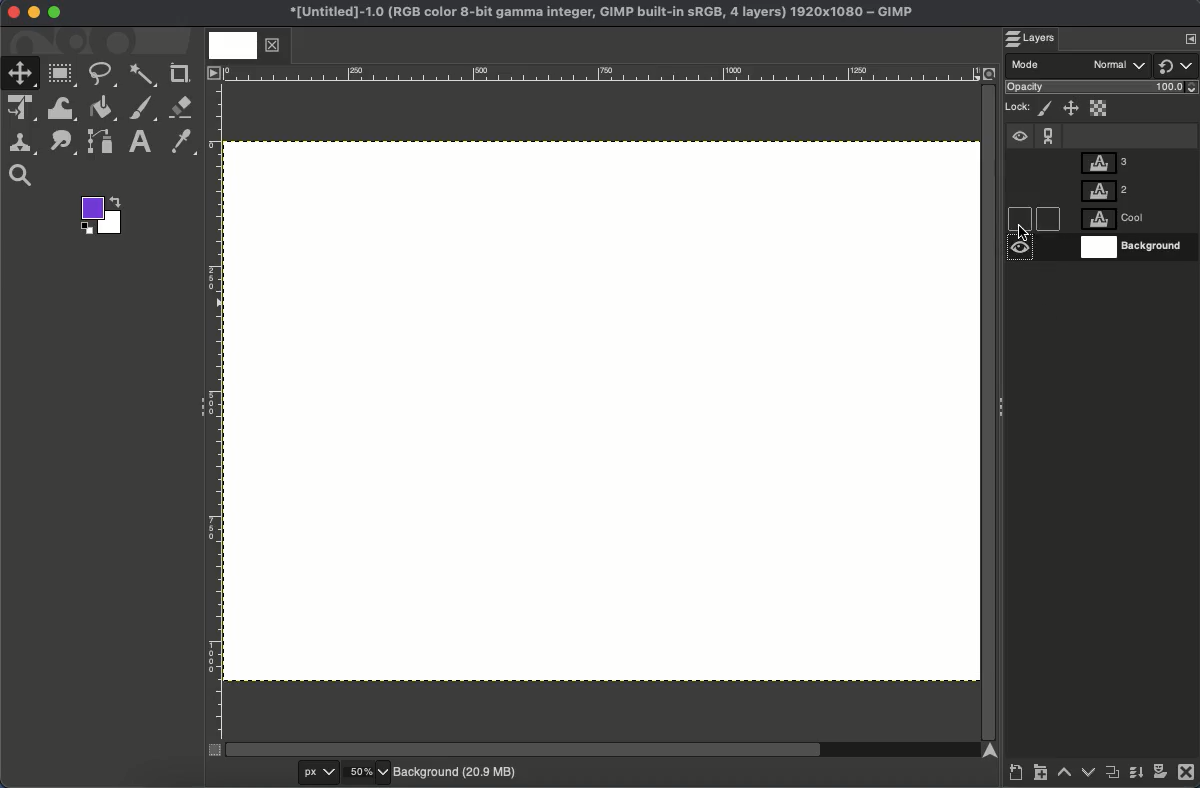  I want to click on Free select, so click(106, 74).